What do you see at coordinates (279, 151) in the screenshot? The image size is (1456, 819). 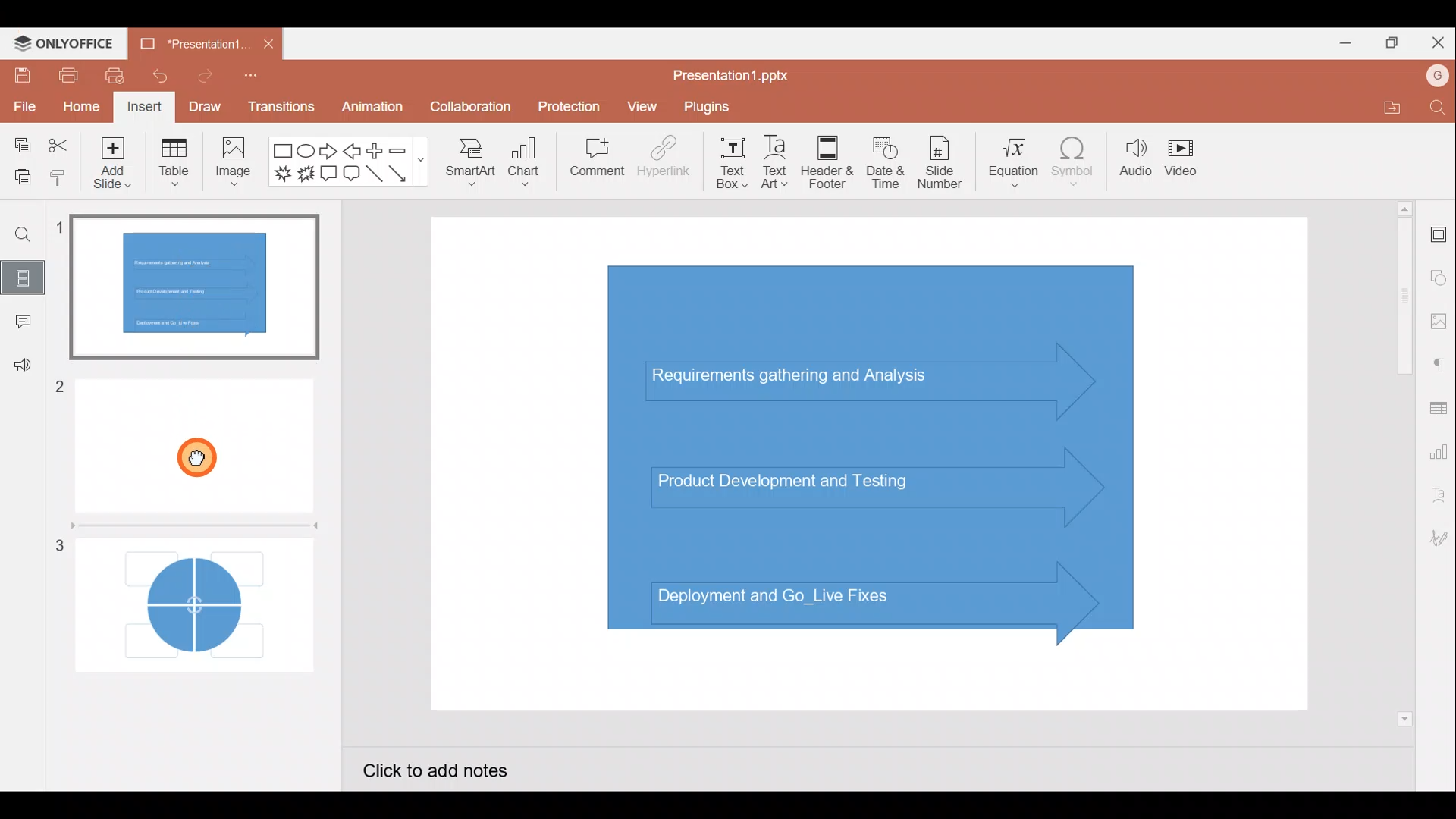 I see `Rectangle` at bounding box center [279, 151].